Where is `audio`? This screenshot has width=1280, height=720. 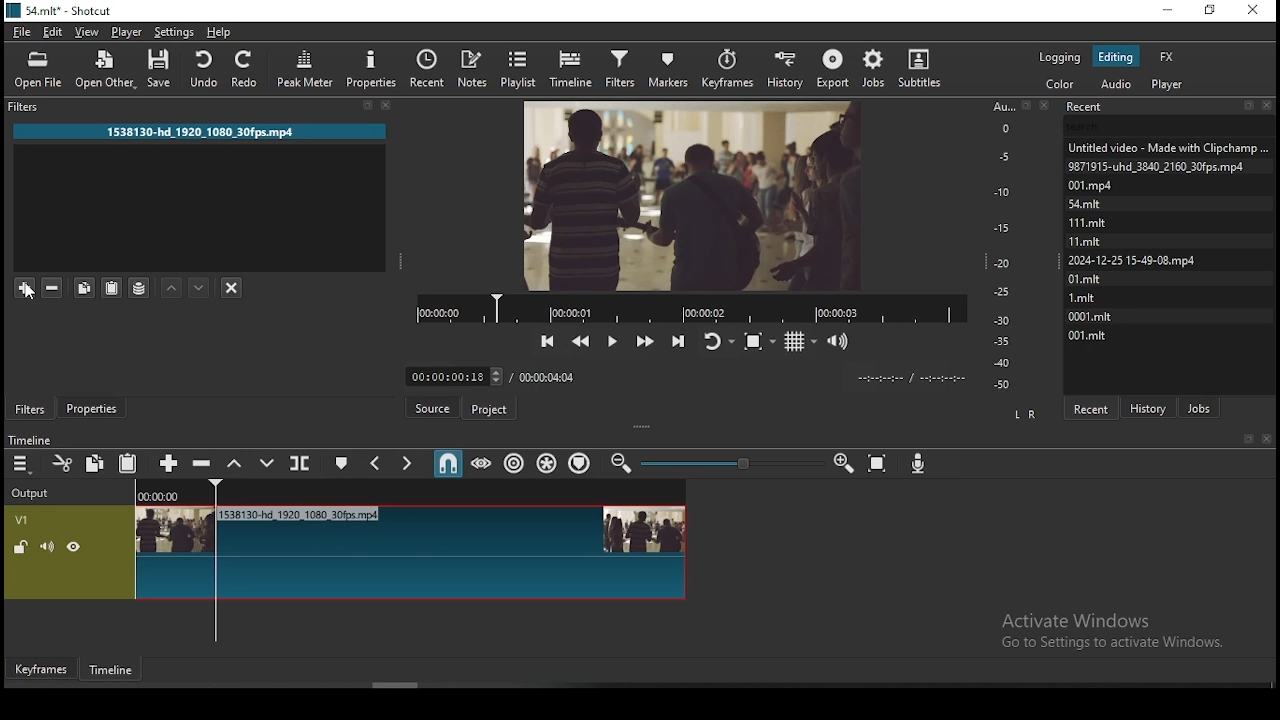
audio is located at coordinates (1171, 85).